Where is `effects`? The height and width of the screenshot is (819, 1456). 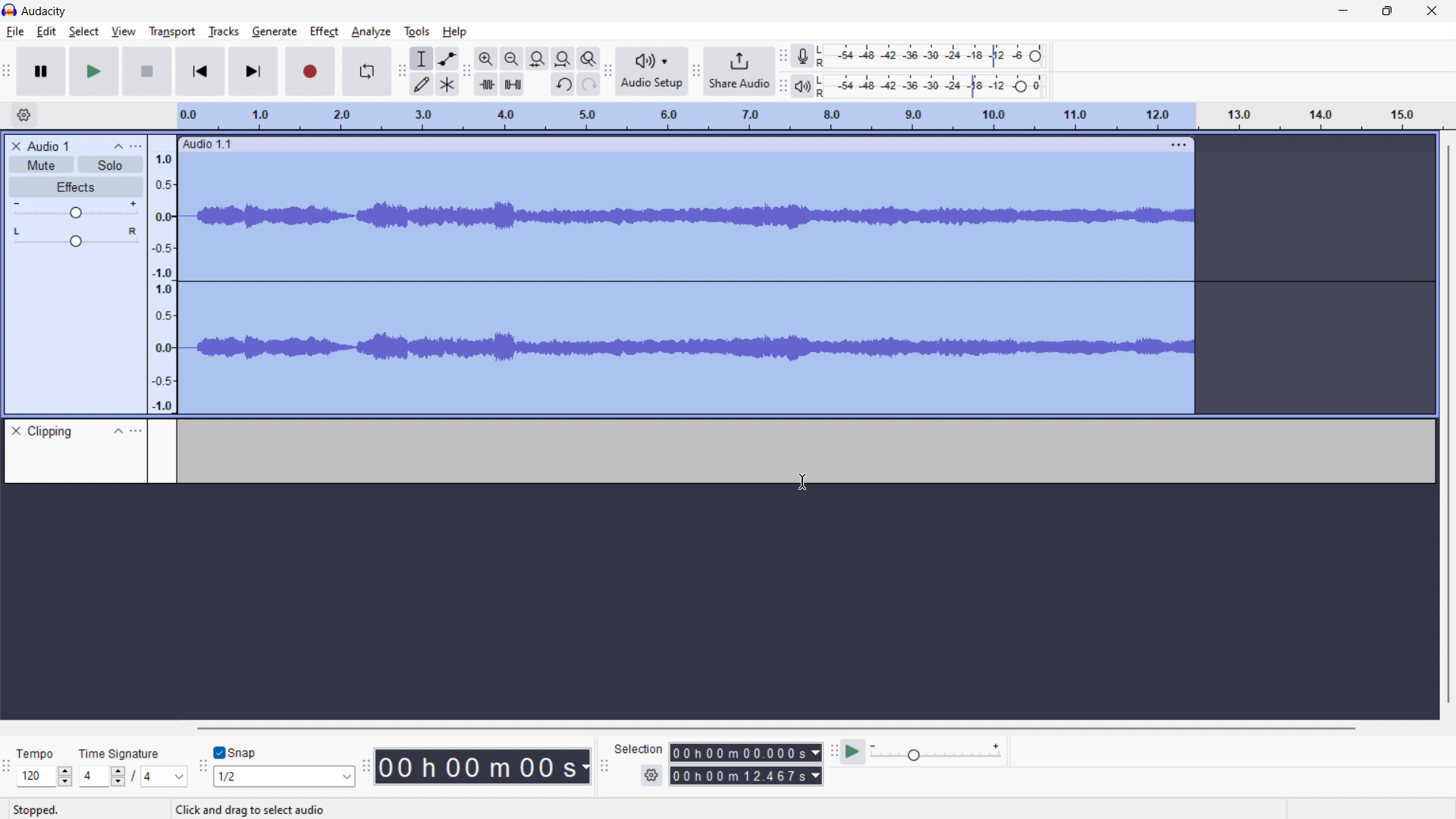 effects is located at coordinates (75, 187).